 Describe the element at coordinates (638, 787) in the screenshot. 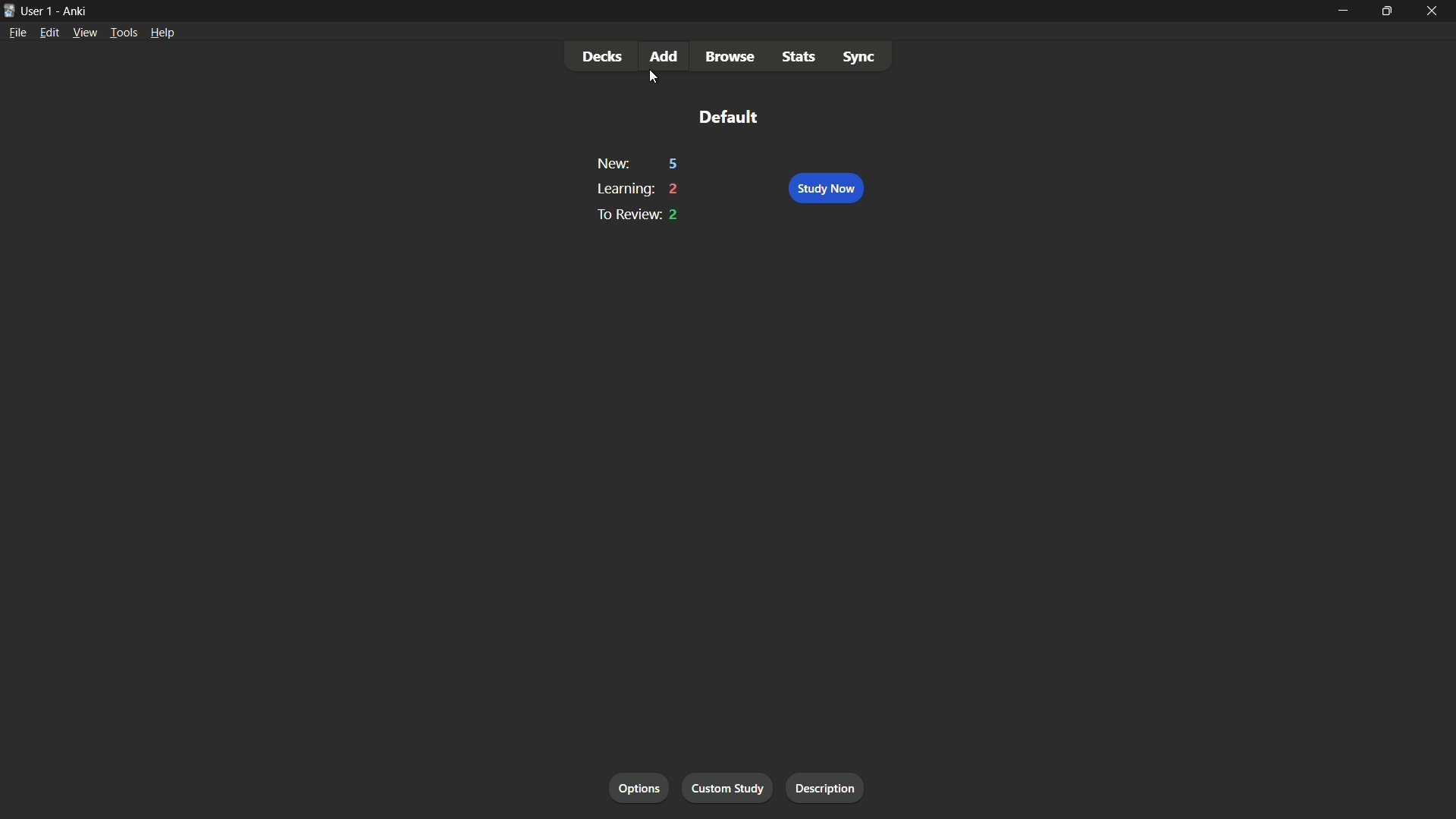

I see `options` at that location.